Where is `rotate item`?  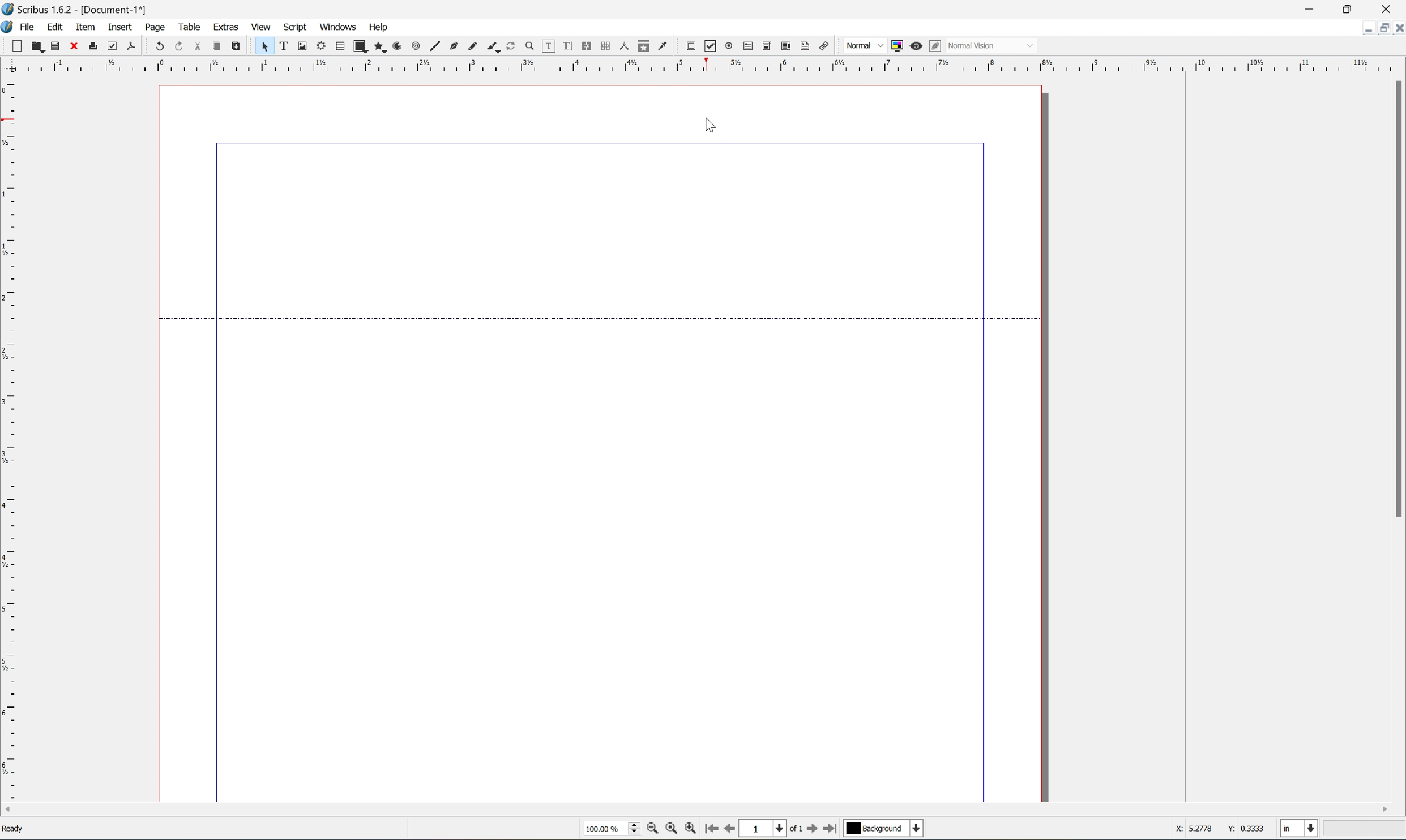
rotate item is located at coordinates (512, 46).